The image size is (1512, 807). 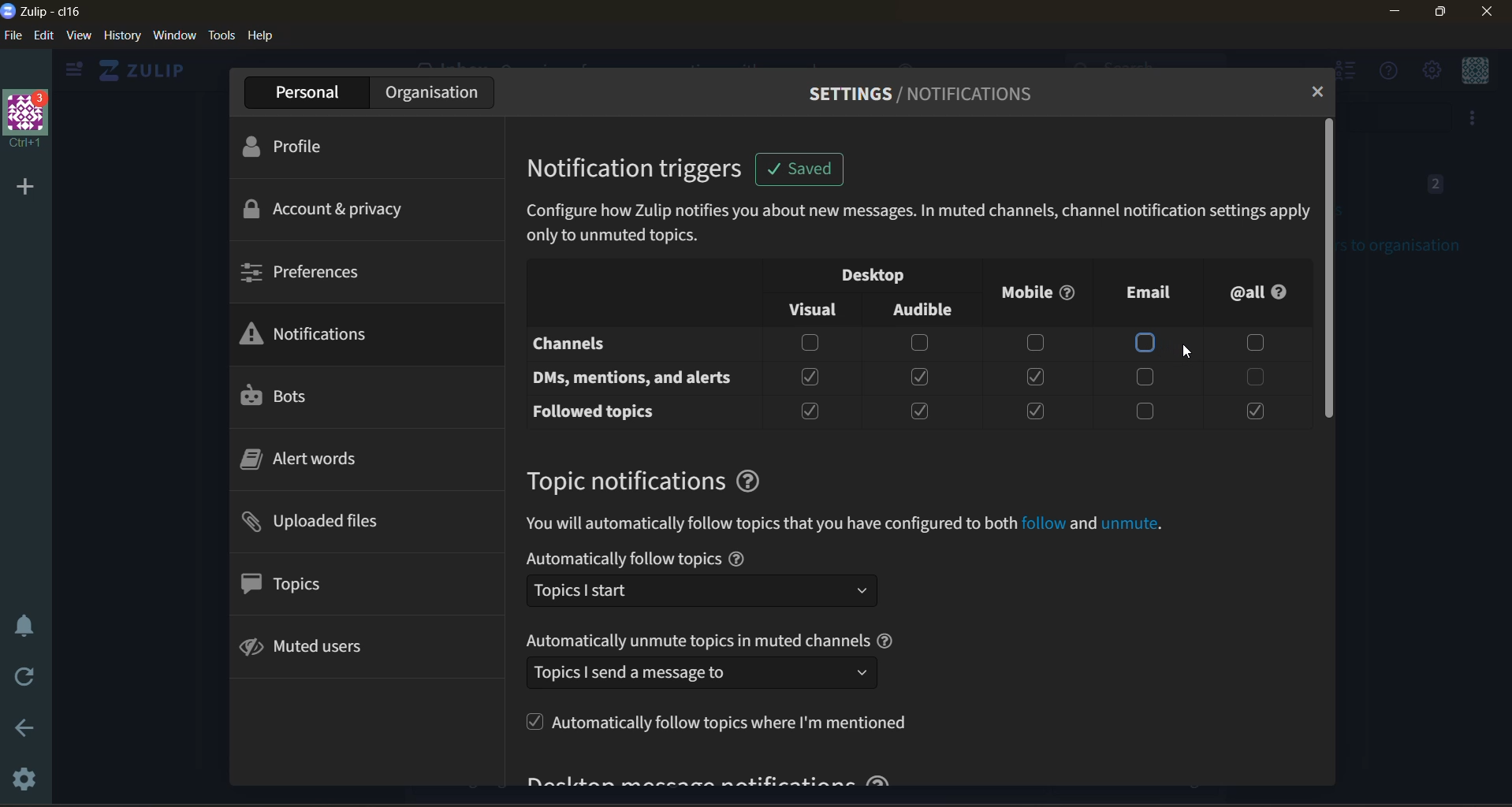 What do you see at coordinates (139, 70) in the screenshot?
I see `home view` at bounding box center [139, 70].